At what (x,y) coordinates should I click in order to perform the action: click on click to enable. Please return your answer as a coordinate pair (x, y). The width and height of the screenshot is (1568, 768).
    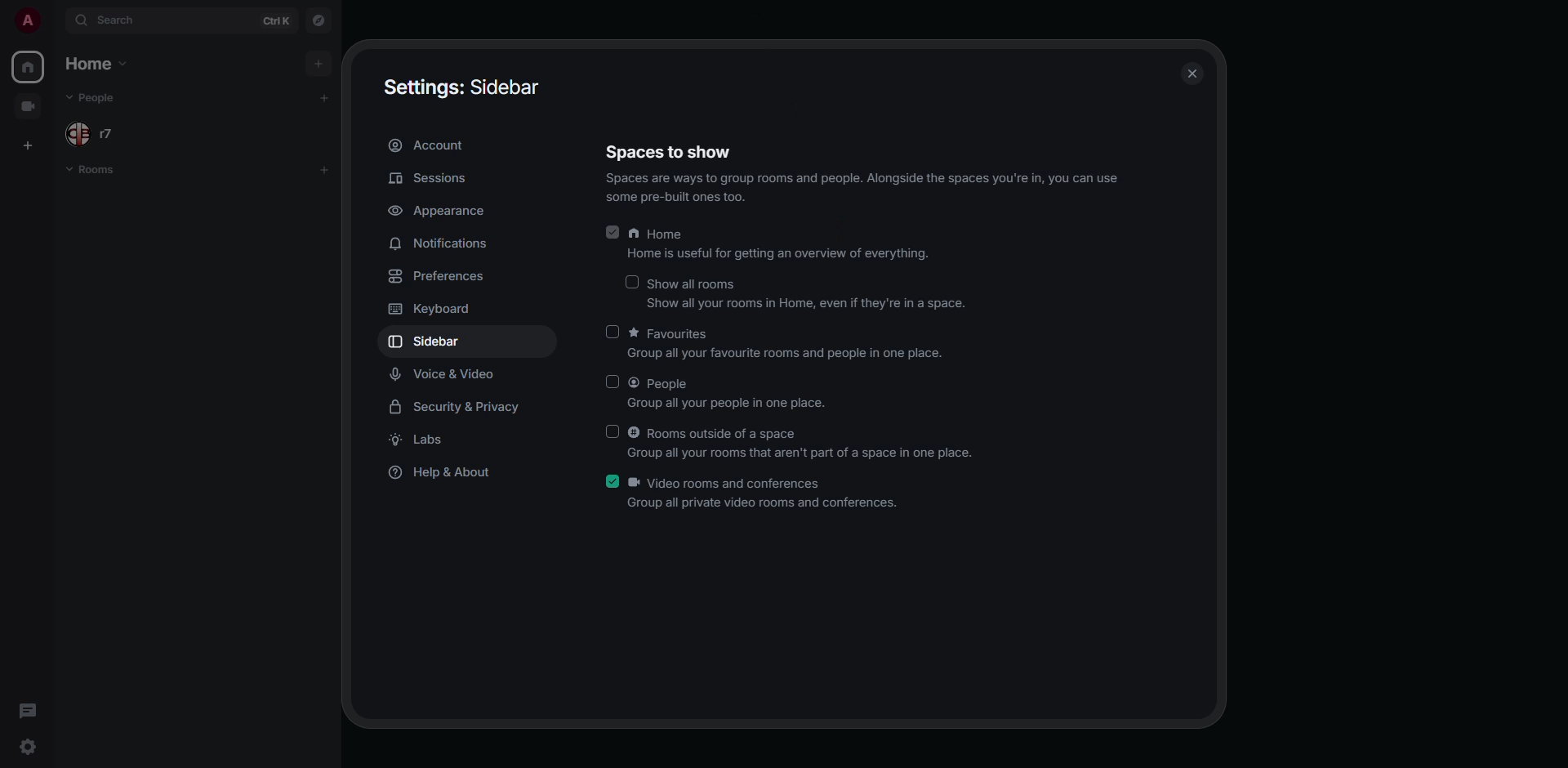
    Looking at the image, I should click on (612, 382).